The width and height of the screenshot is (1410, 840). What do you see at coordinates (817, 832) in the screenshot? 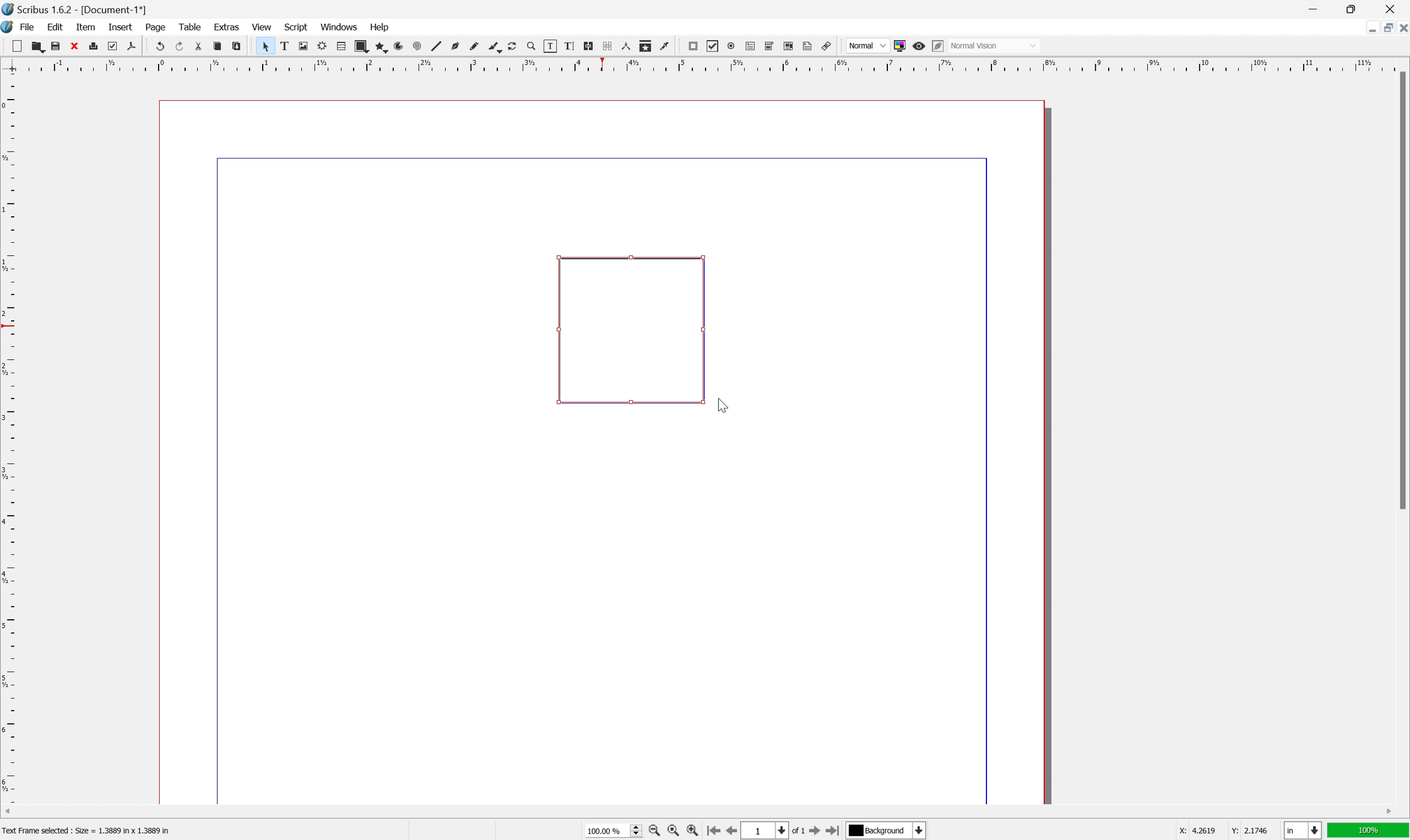
I see `go to next page` at bounding box center [817, 832].